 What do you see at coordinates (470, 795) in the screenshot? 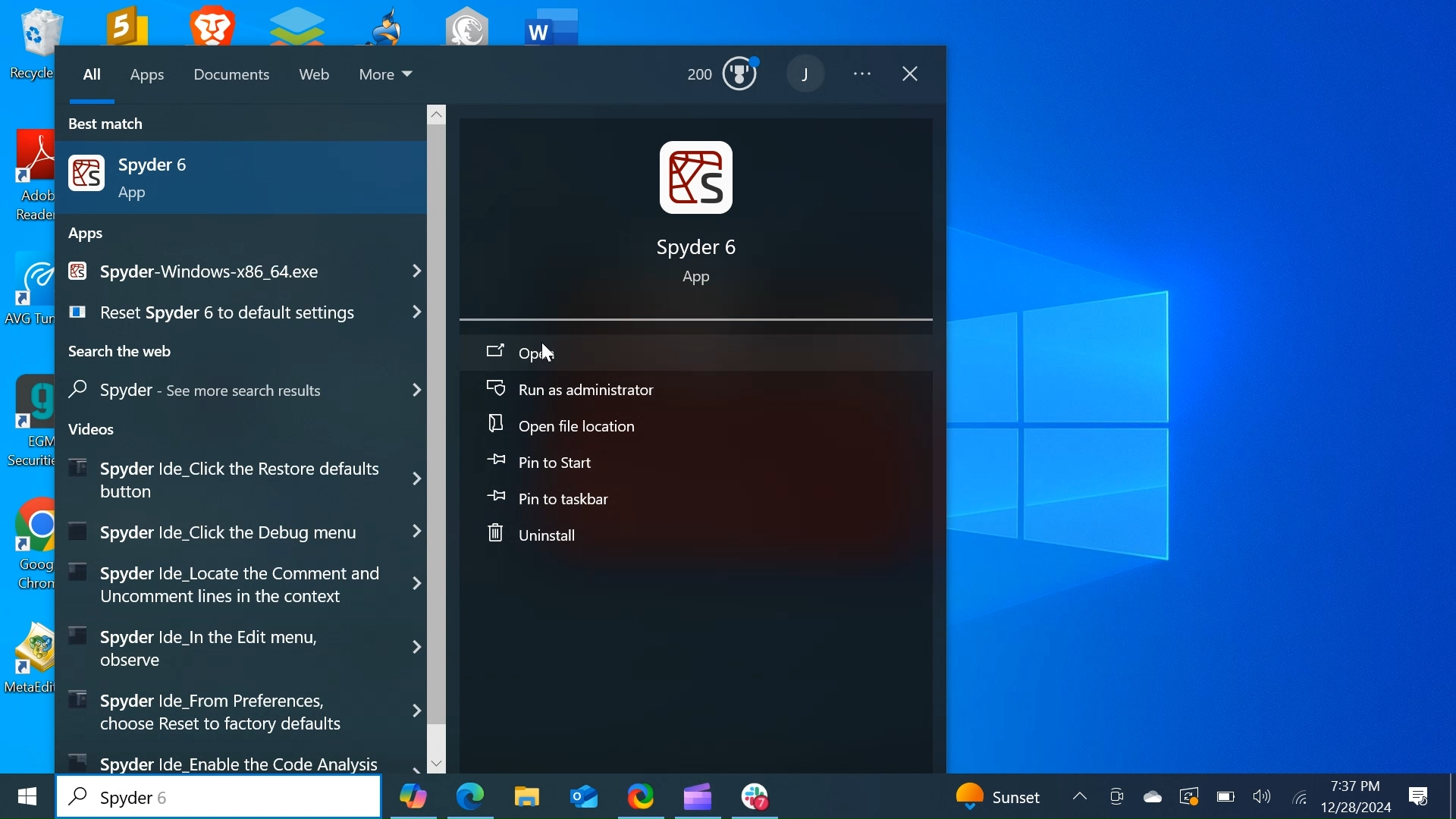
I see `Microsoft Edge` at bounding box center [470, 795].